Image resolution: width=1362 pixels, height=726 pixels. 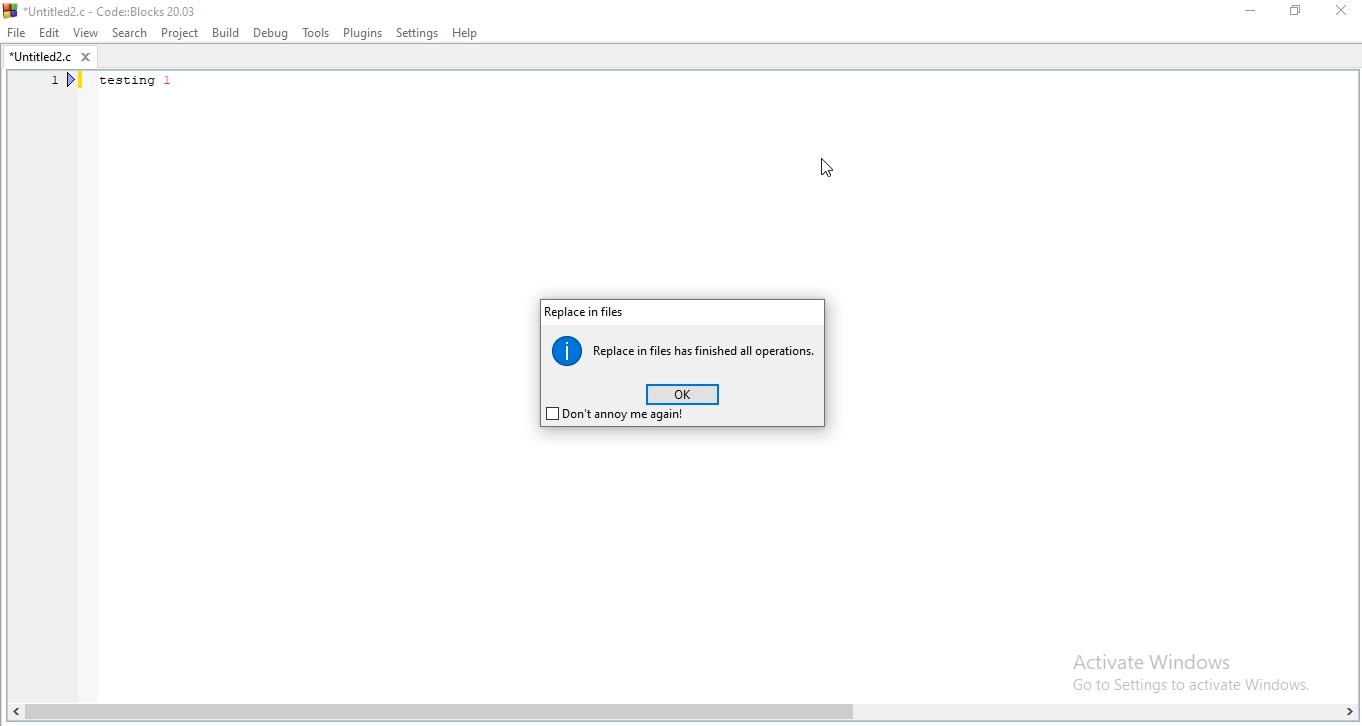 I want to click on Search , so click(x=127, y=32).